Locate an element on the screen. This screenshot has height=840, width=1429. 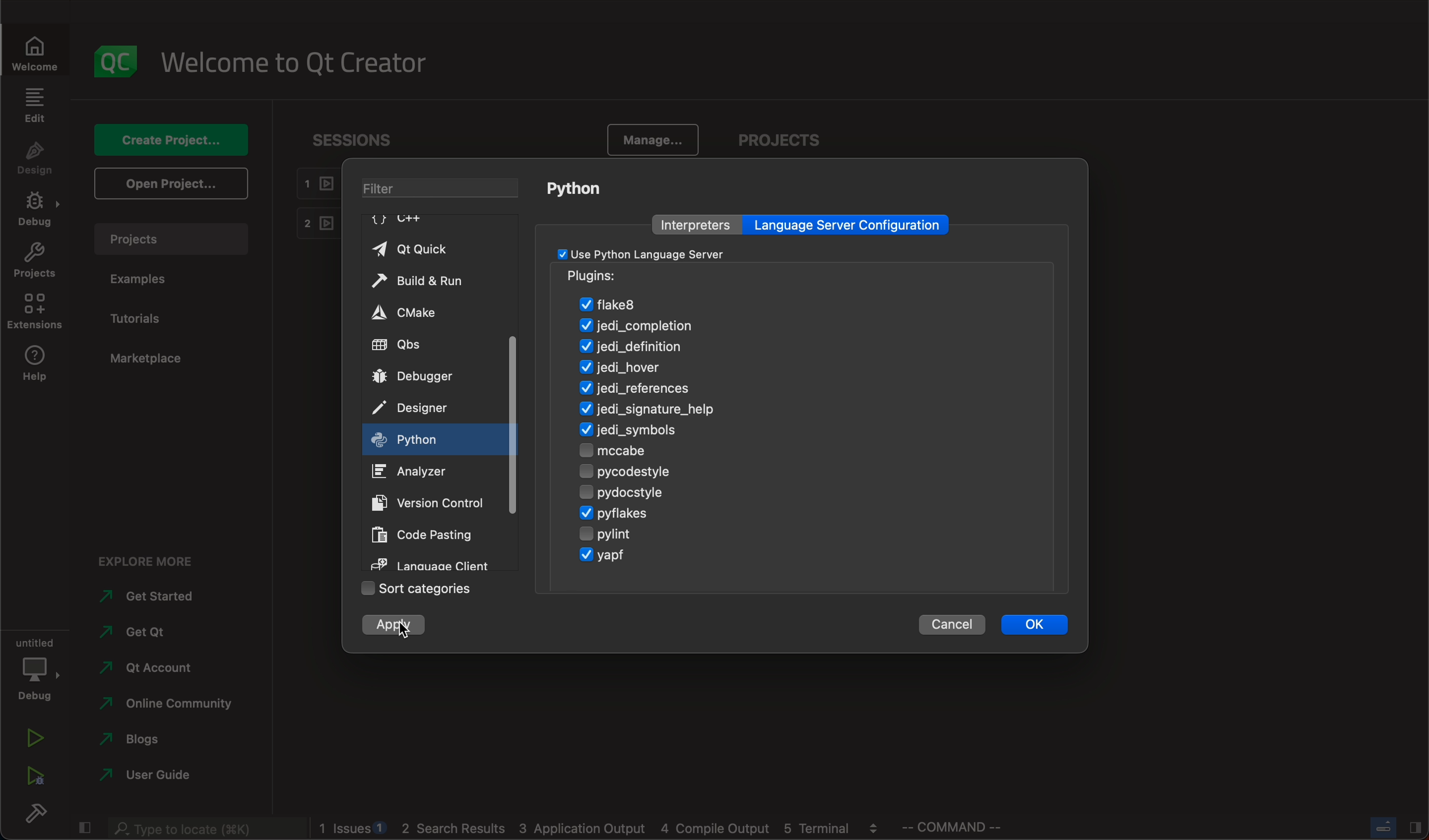
pycodestyle is located at coordinates (627, 472).